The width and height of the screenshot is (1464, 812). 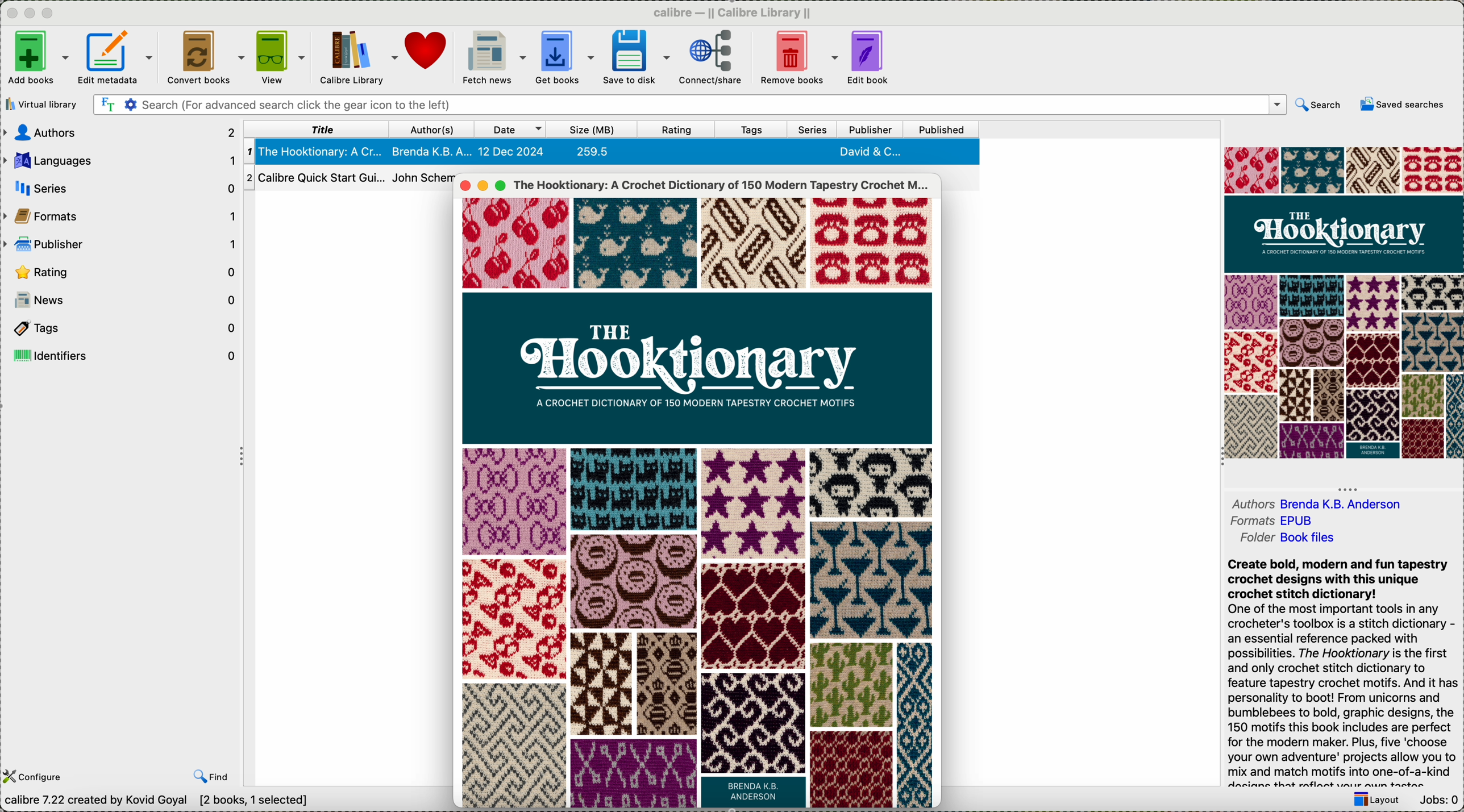 What do you see at coordinates (711, 56) in the screenshot?
I see `connect/share` at bounding box center [711, 56].